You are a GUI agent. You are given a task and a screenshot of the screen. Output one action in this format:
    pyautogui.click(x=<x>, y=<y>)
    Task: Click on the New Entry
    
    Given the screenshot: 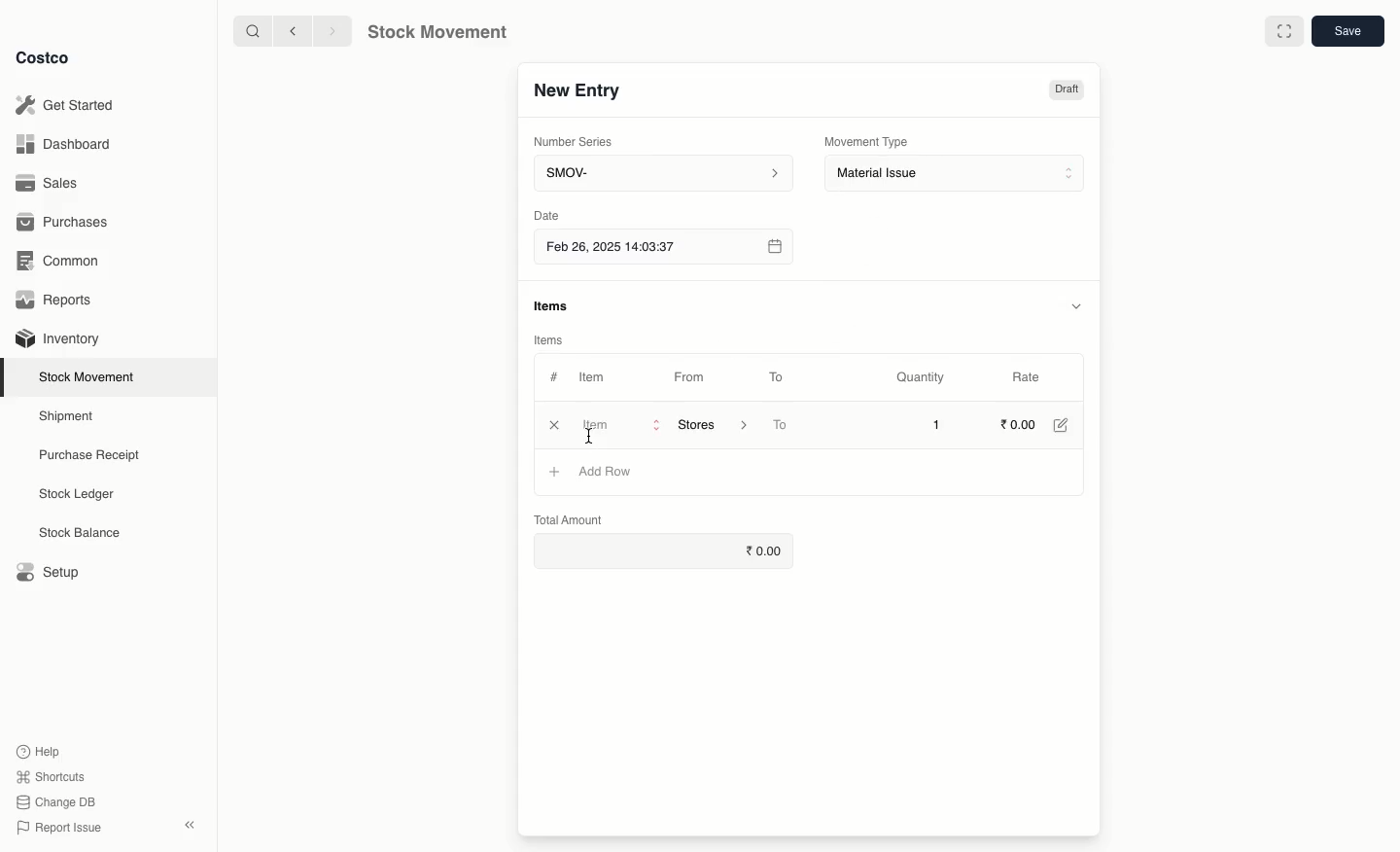 What is the action you would take?
    pyautogui.click(x=579, y=94)
    